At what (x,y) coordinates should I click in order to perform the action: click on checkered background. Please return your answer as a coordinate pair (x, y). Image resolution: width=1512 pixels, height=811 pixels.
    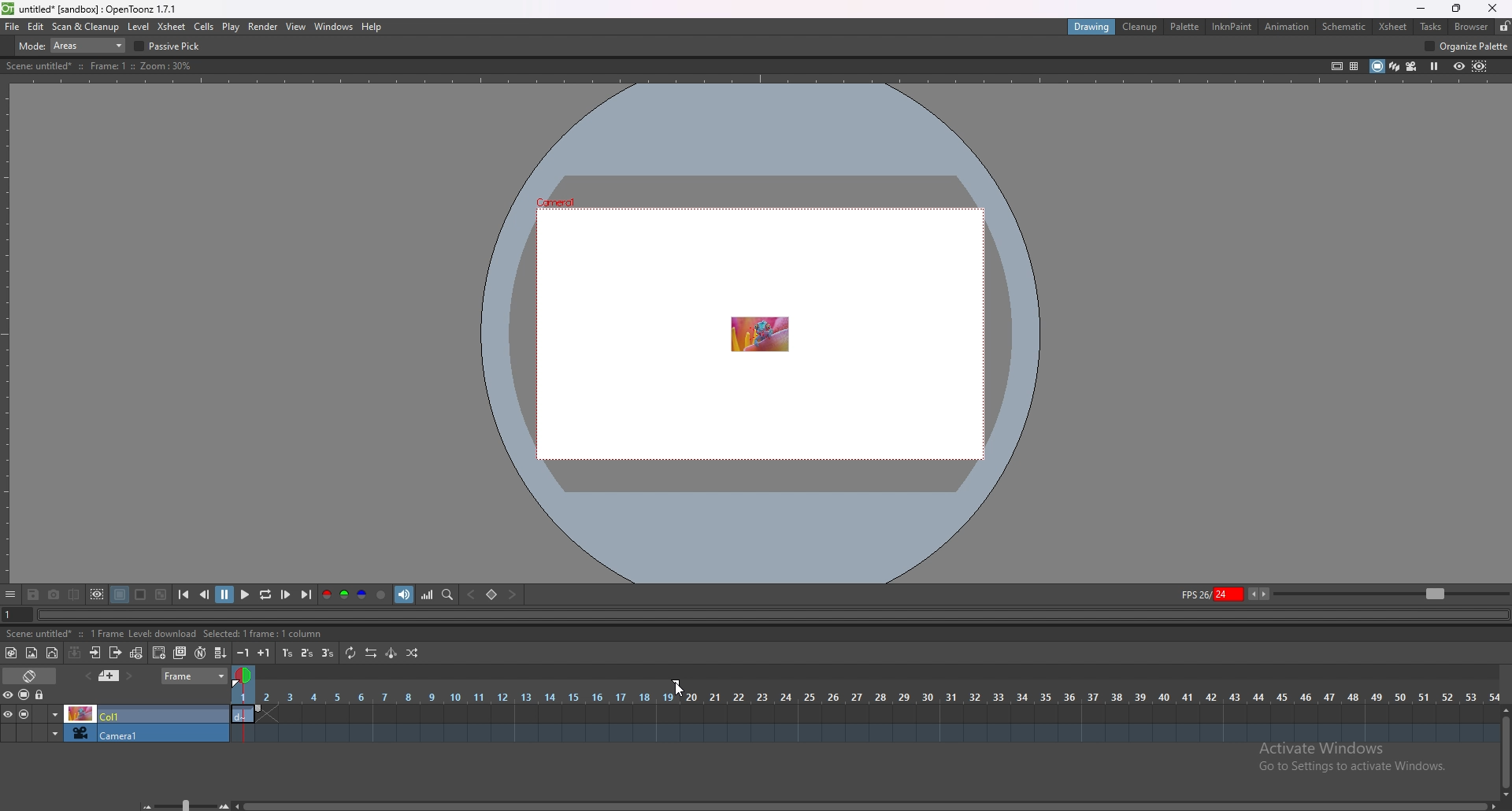
    Looking at the image, I should click on (162, 594).